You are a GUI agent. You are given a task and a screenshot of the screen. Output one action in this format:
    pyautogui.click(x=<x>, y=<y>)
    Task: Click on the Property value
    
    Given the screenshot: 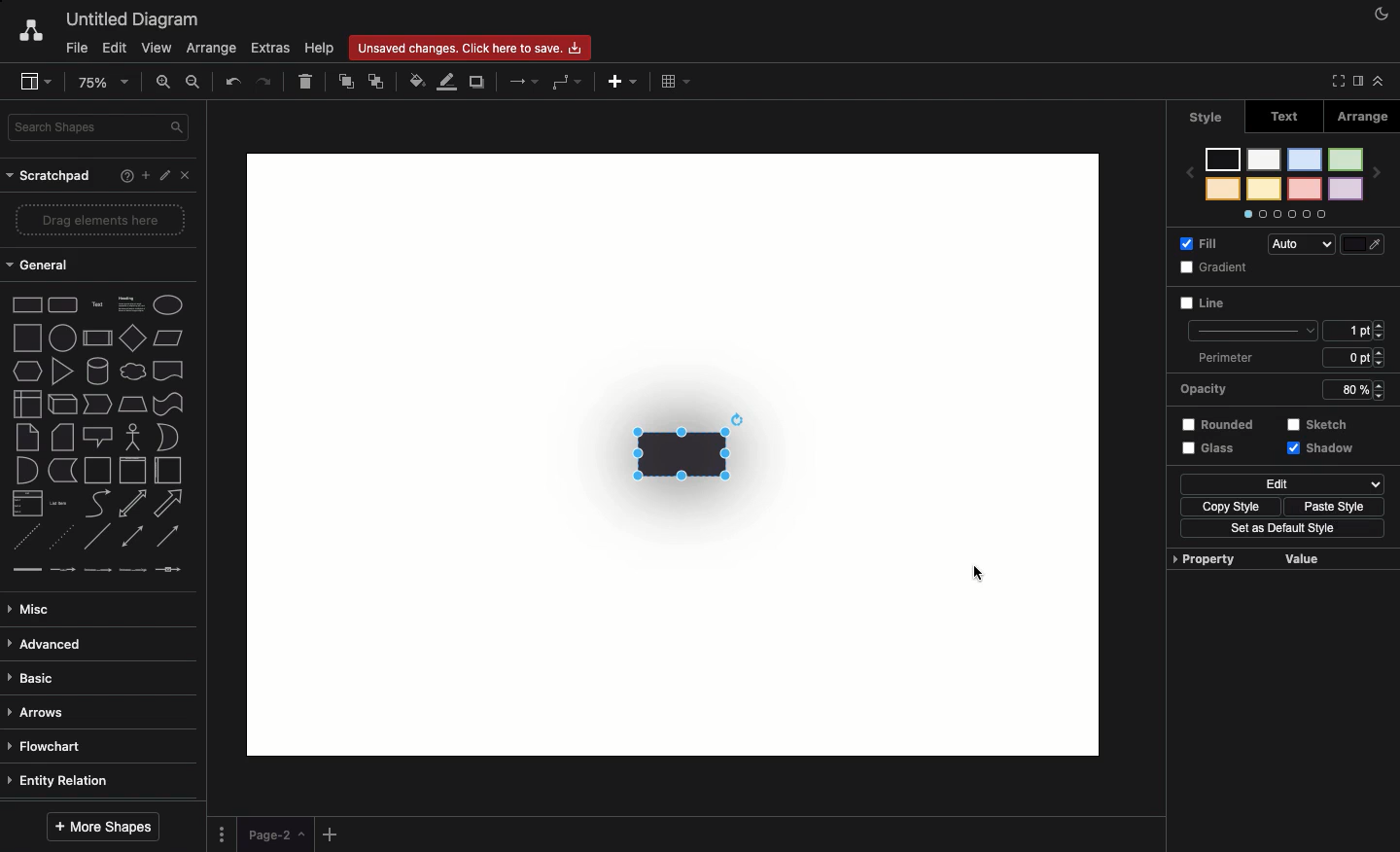 What is the action you would take?
    pyautogui.click(x=1248, y=559)
    